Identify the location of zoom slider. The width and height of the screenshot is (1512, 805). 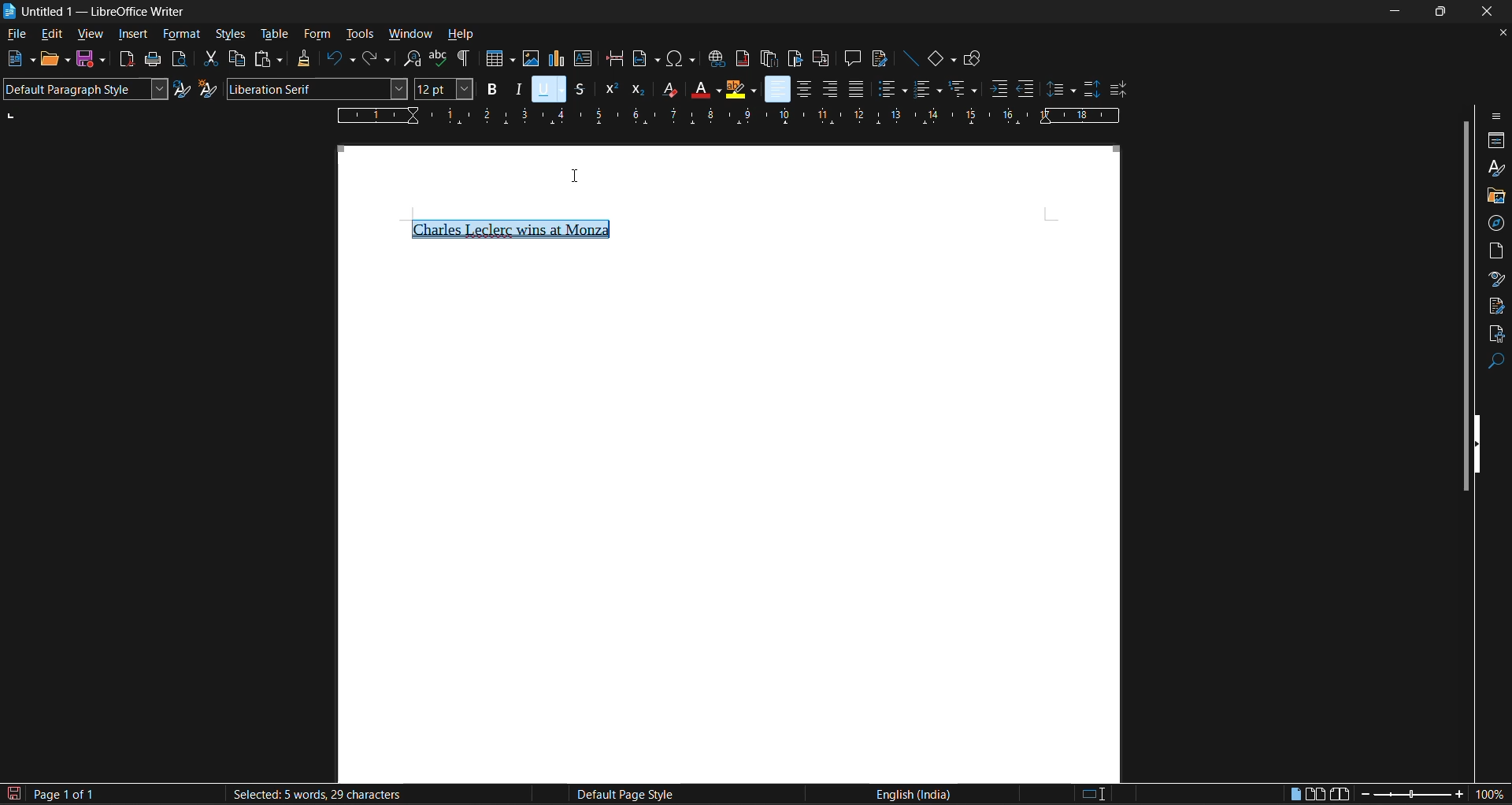
(1410, 796).